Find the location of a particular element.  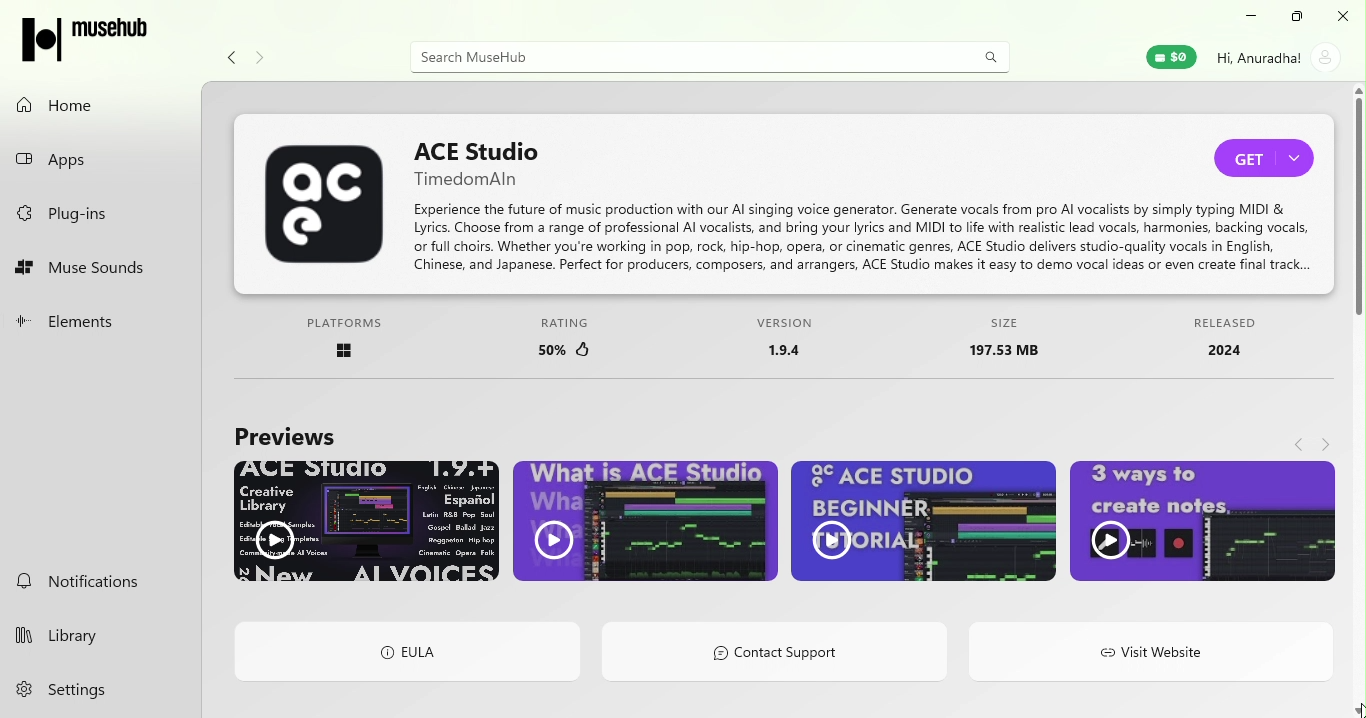

Navigate forward is located at coordinates (1329, 441).